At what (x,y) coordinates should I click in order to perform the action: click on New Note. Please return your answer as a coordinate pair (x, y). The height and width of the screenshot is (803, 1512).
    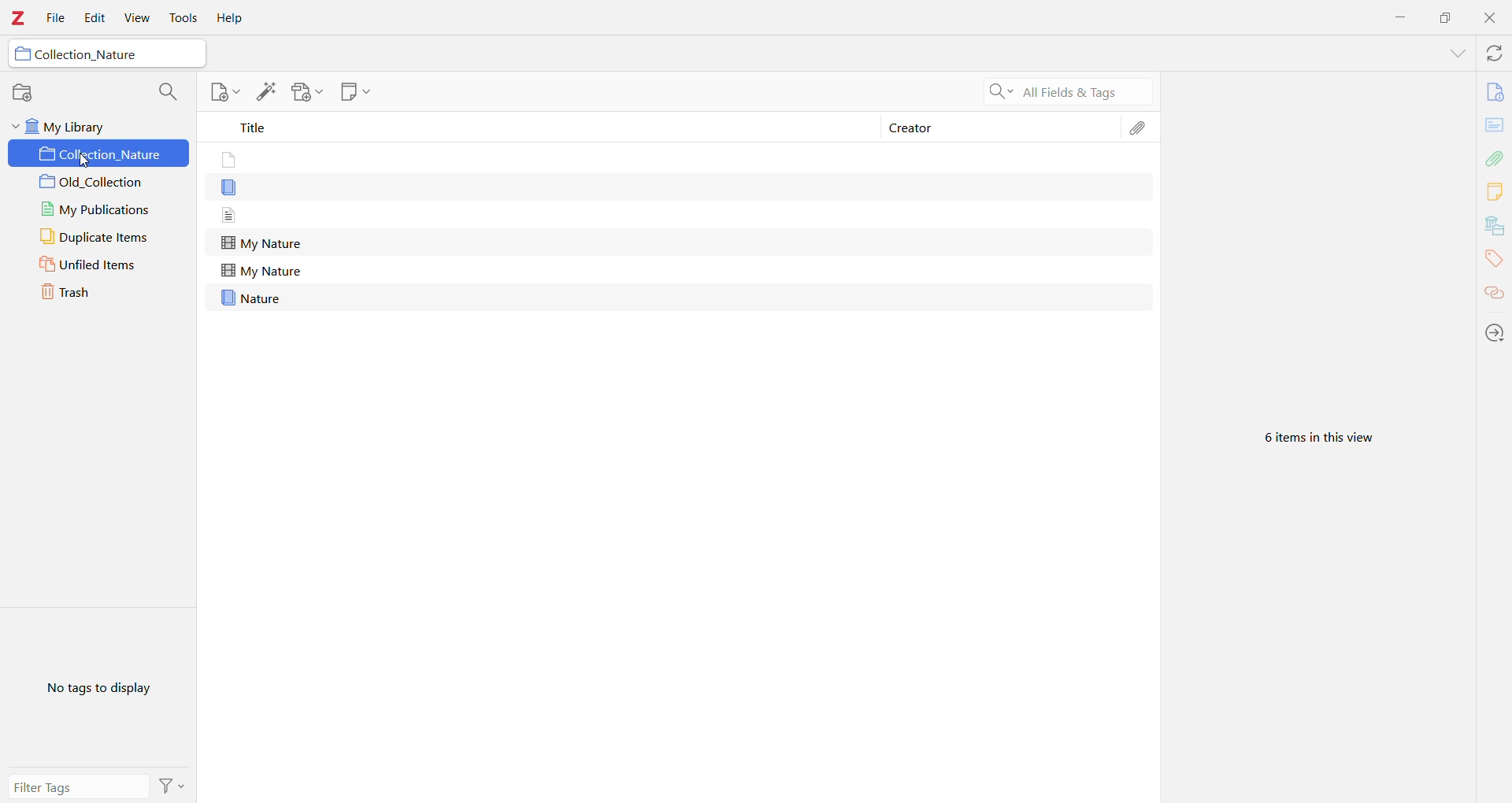
    Looking at the image, I should click on (357, 94).